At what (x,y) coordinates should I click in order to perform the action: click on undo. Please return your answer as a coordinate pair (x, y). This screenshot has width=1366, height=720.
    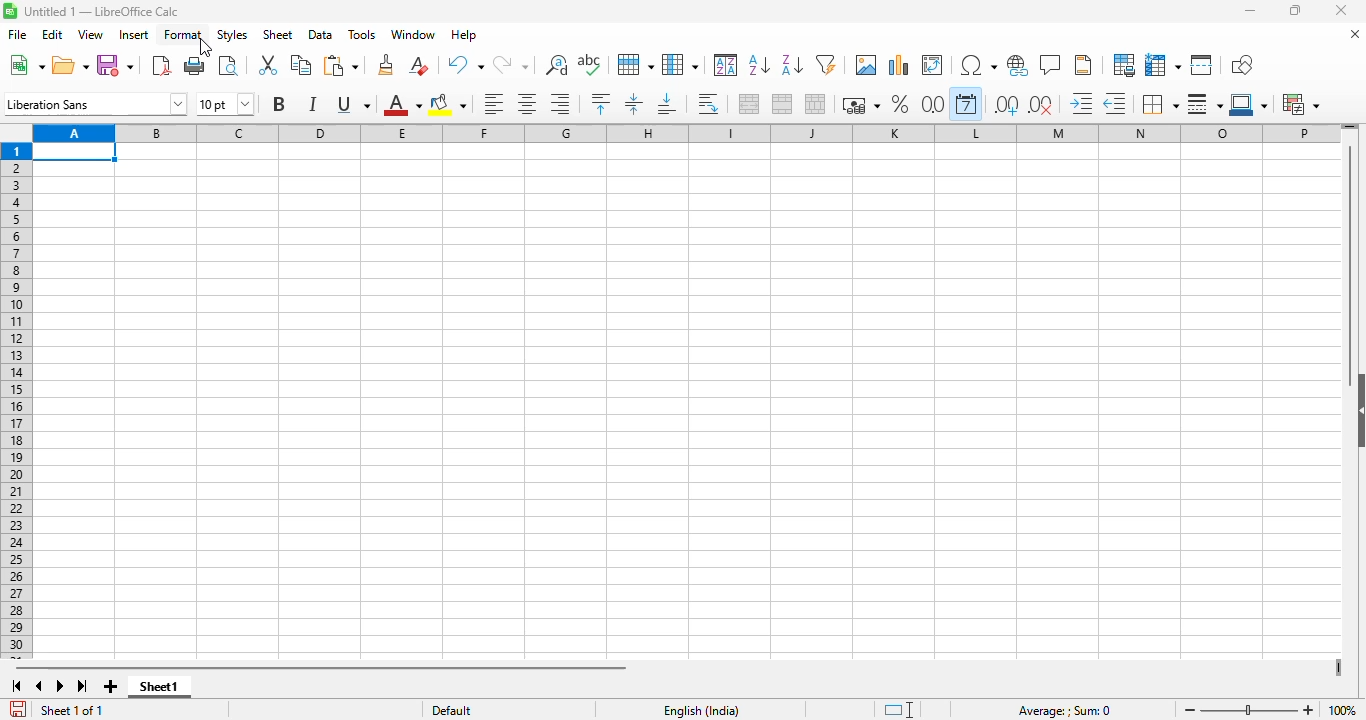
    Looking at the image, I should click on (464, 65).